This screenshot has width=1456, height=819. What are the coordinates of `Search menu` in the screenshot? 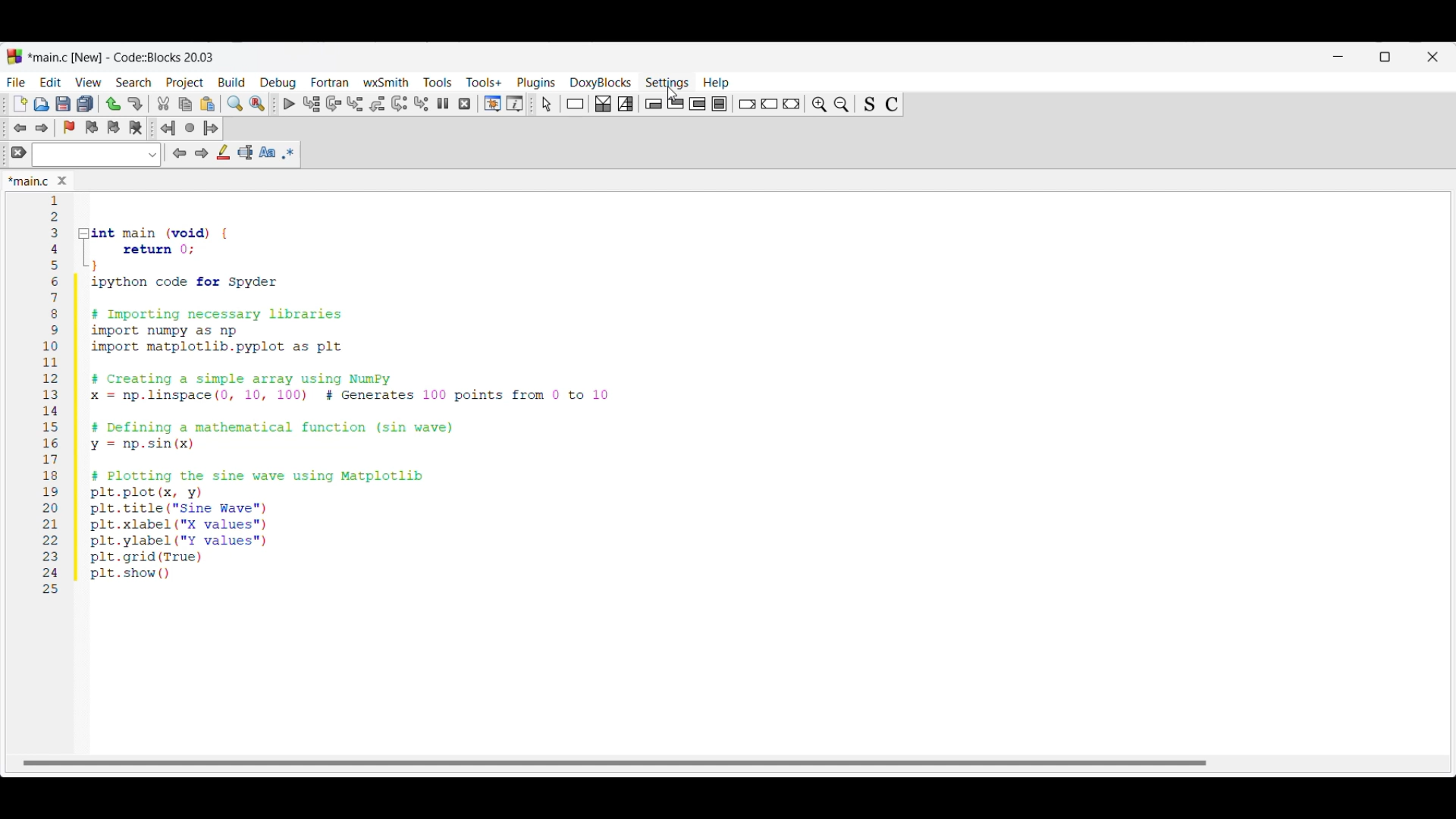 It's located at (133, 83).